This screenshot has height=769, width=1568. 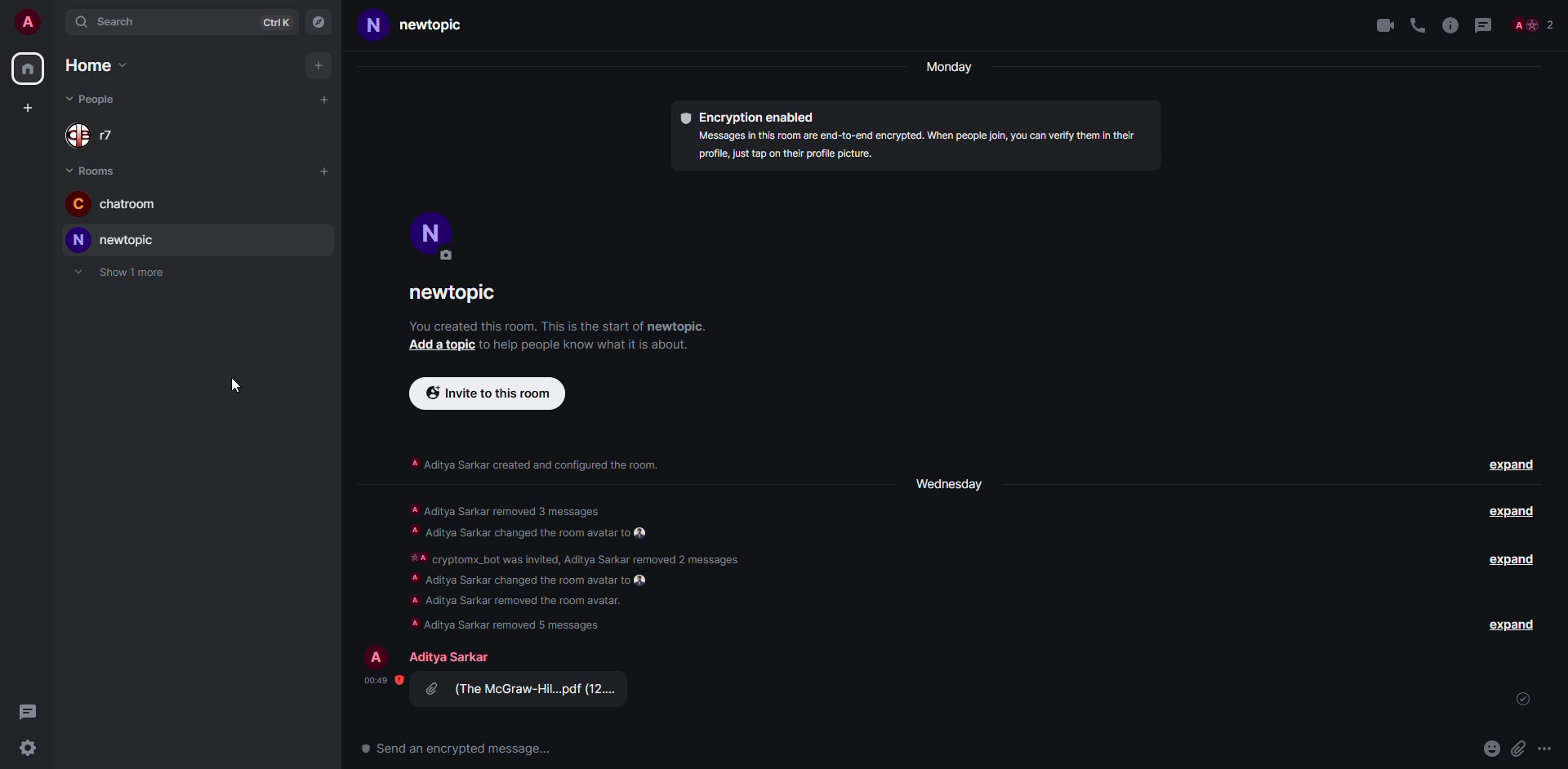 What do you see at coordinates (405, 29) in the screenshot?
I see `Newtopic` at bounding box center [405, 29].